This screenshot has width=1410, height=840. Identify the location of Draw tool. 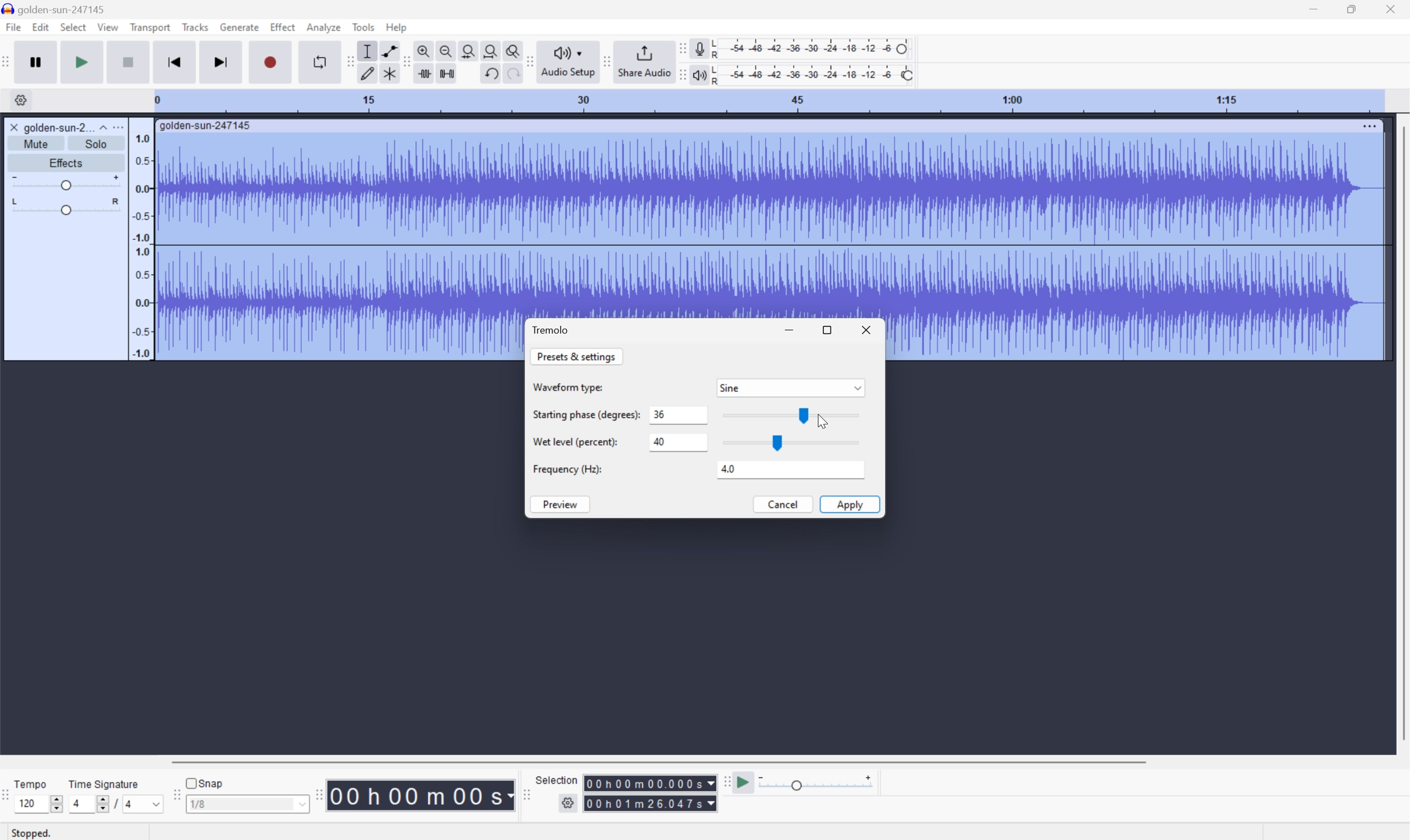
(368, 74).